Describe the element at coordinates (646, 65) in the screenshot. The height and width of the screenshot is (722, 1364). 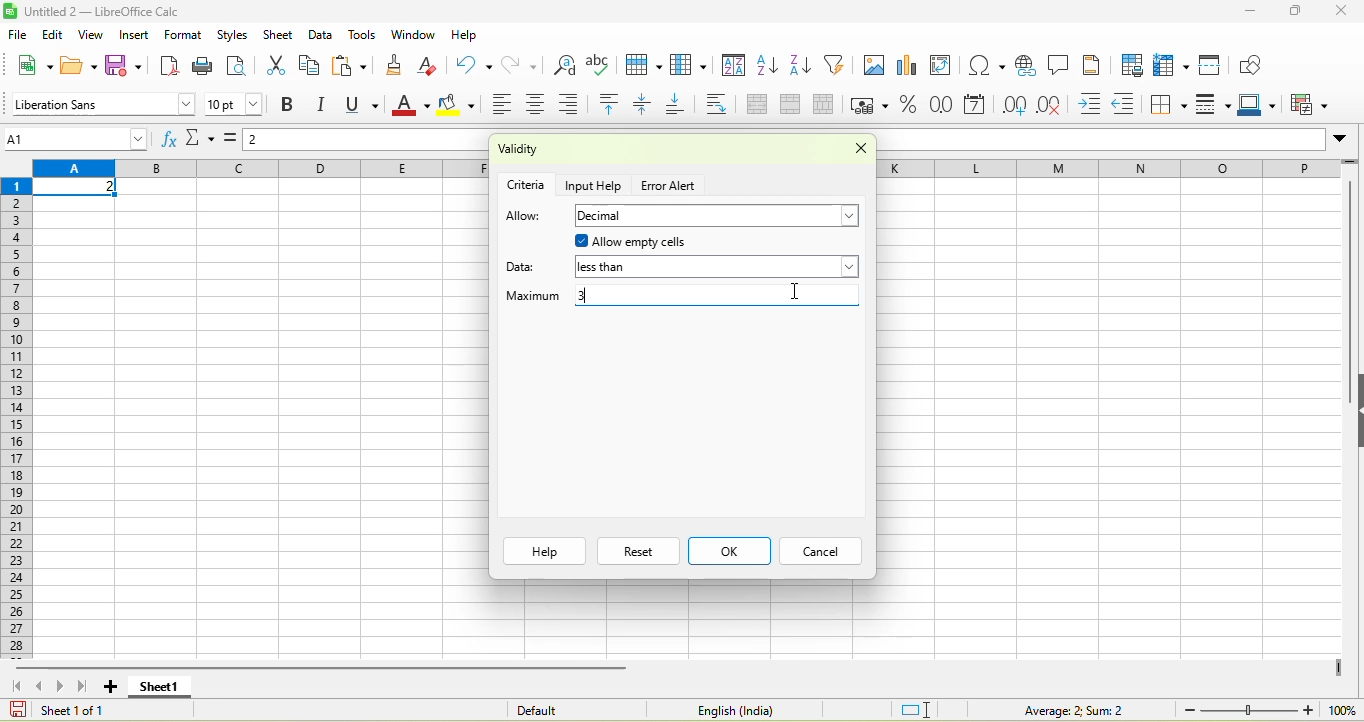
I see `row` at that location.